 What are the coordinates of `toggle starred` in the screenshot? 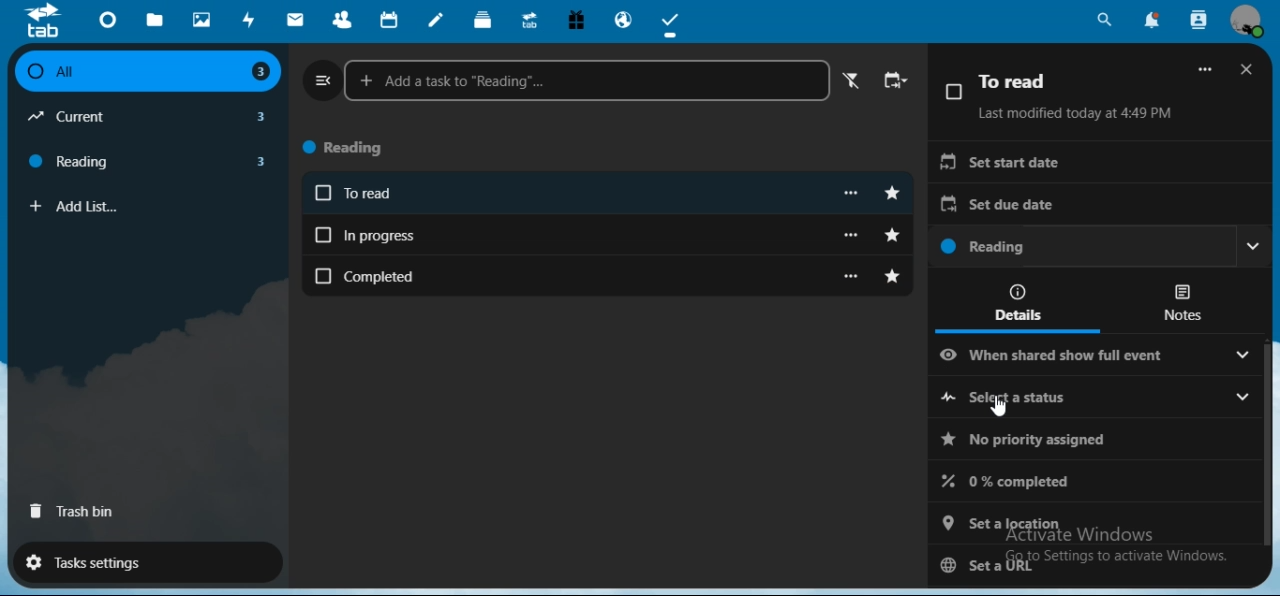 It's located at (894, 235).